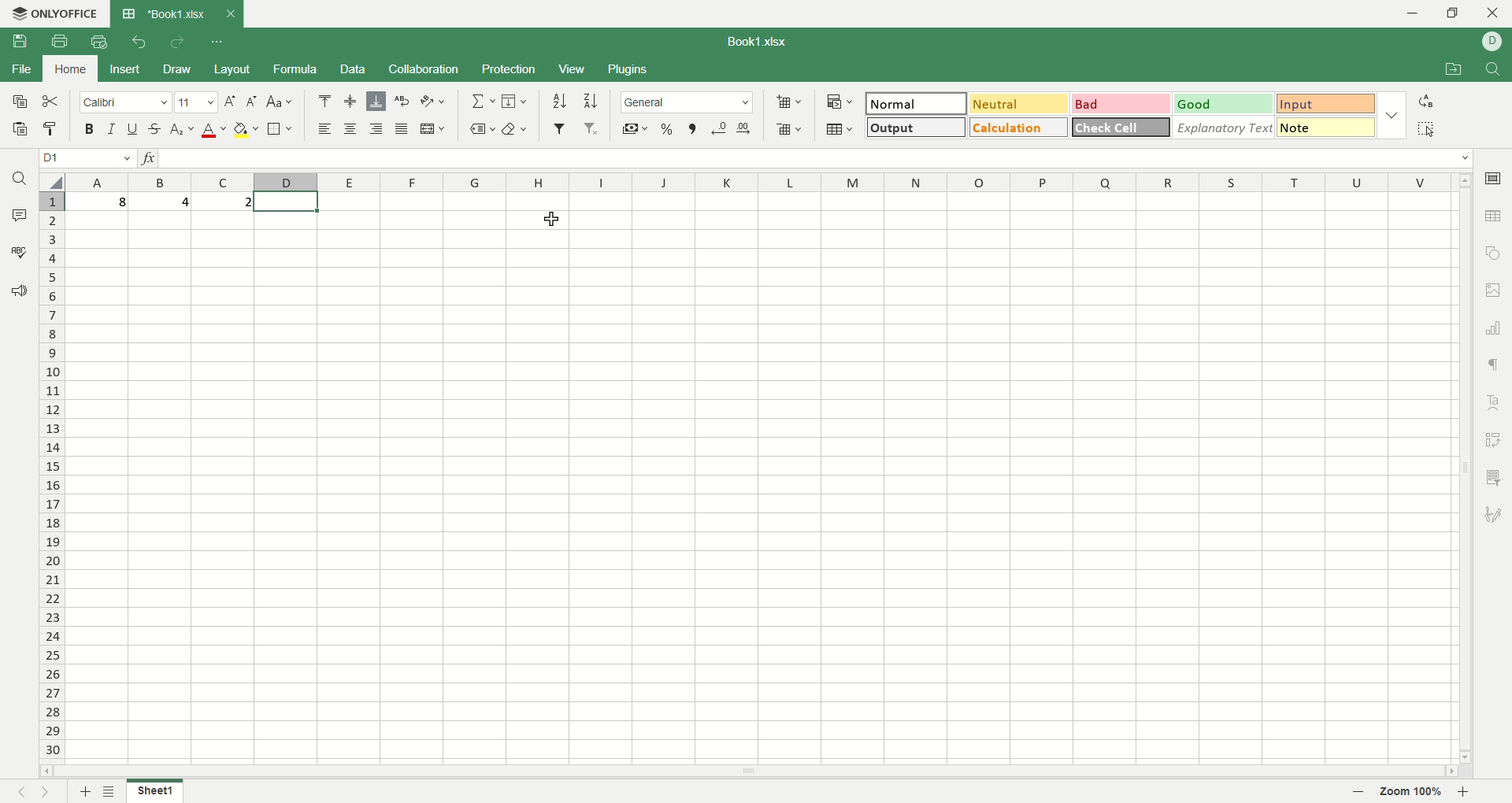 Image resolution: width=1512 pixels, height=803 pixels. Describe the element at coordinates (746, 773) in the screenshot. I see `scroll bar` at that location.